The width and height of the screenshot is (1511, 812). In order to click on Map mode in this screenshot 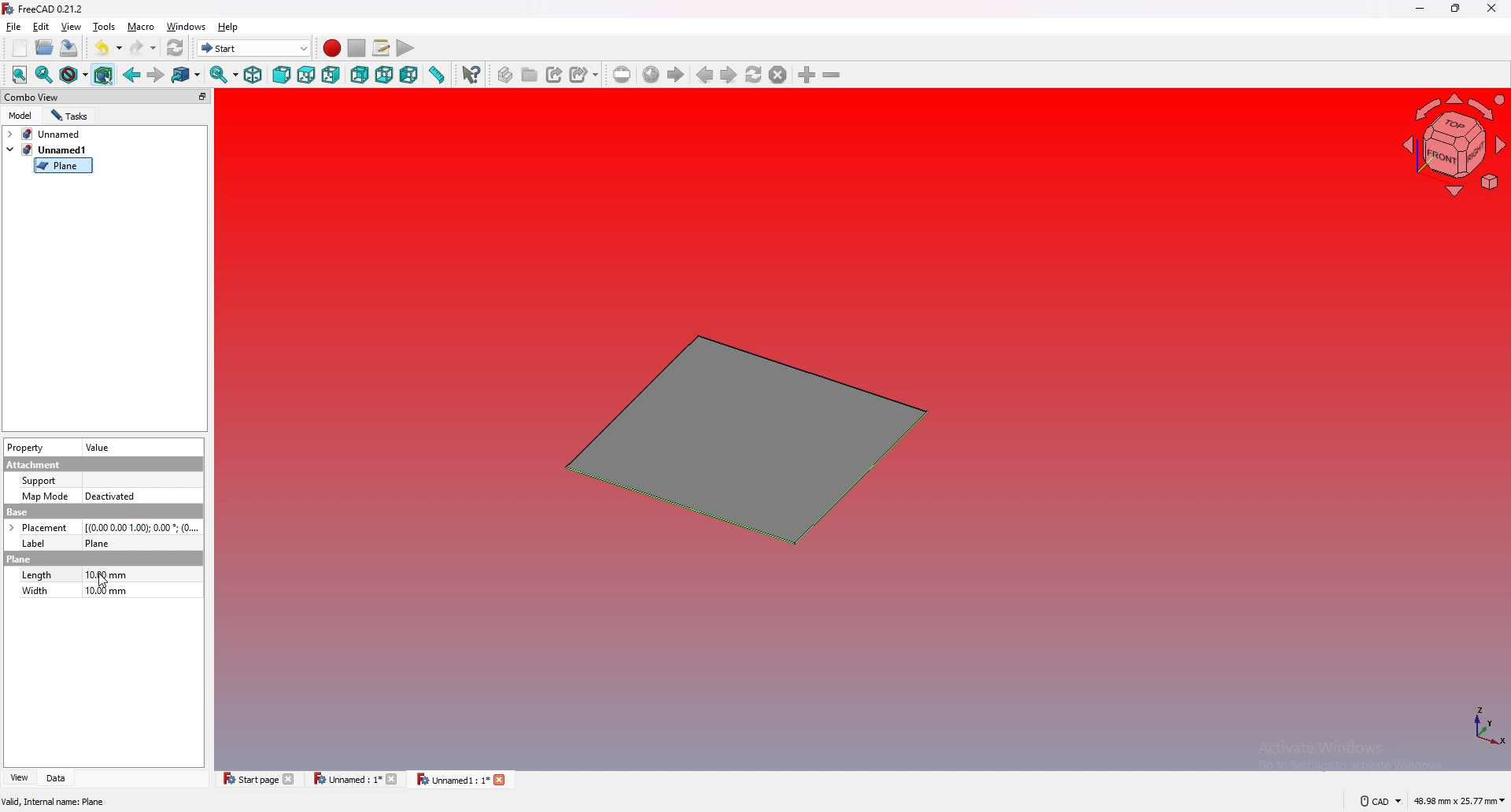, I will do `click(45, 497)`.